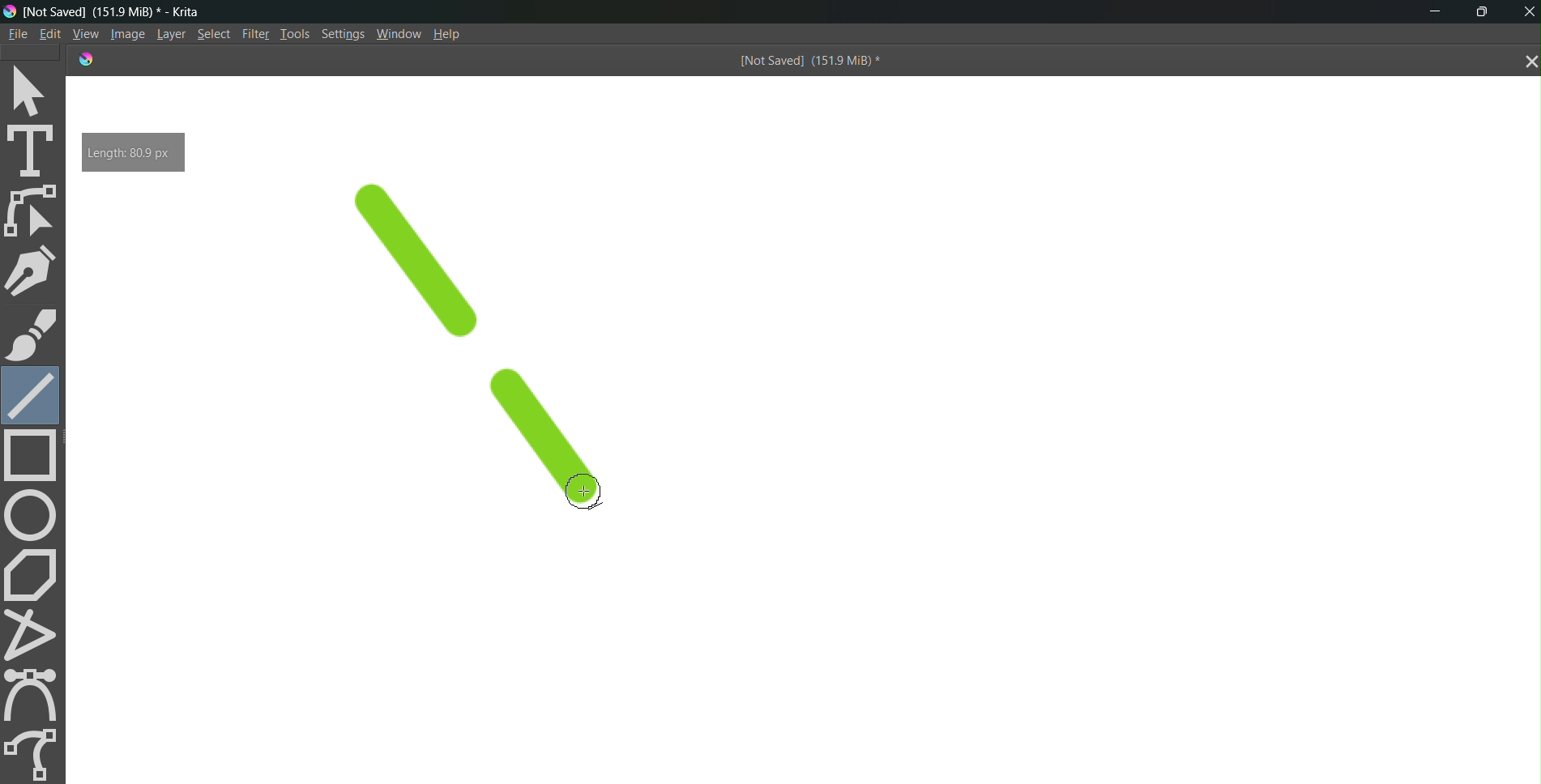 This screenshot has height=784, width=1541. What do you see at coordinates (83, 33) in the screenshot?
I see `View` at bounding box center [83, 33].